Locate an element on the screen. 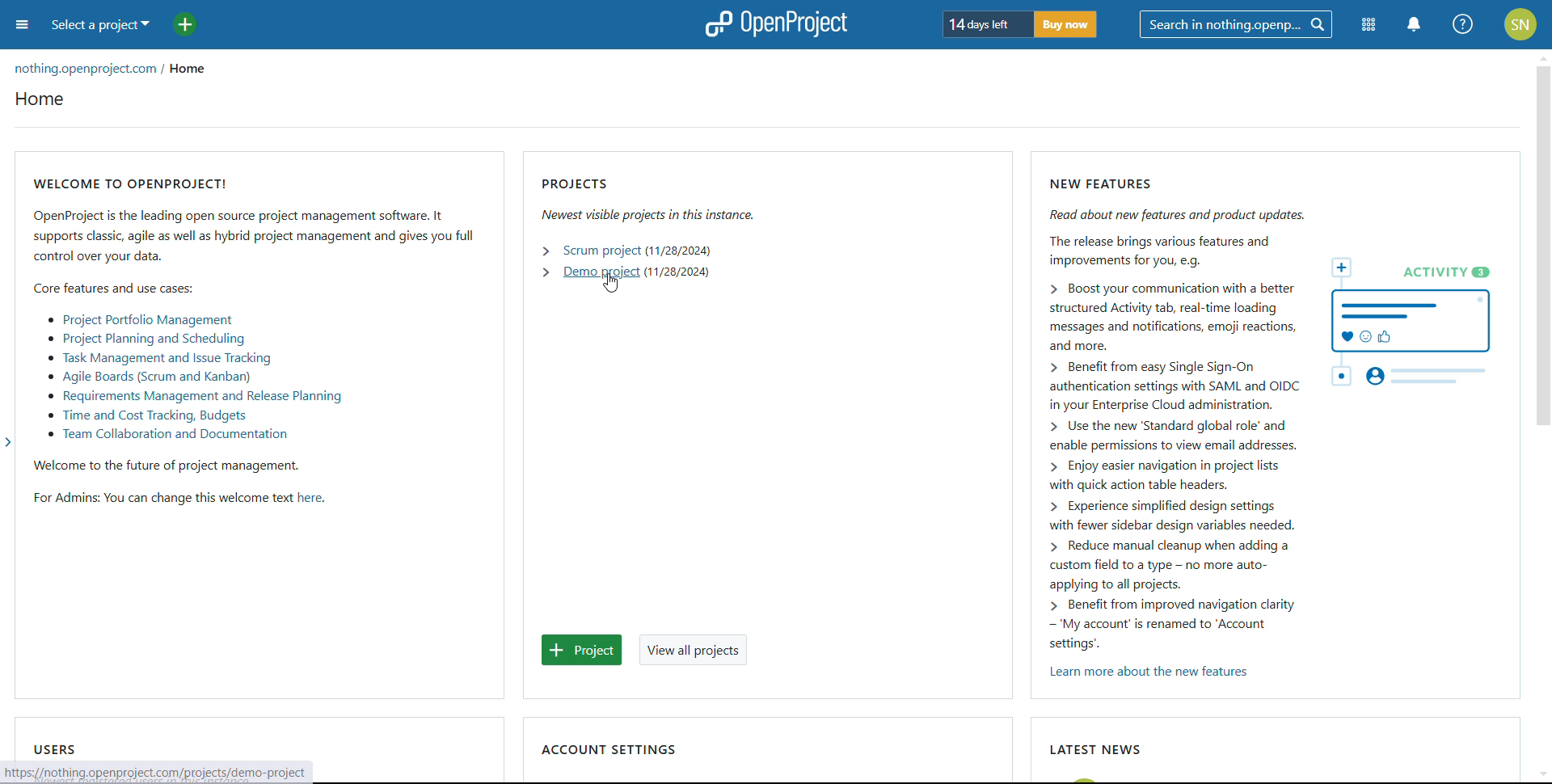 The image size is (1552, 784). users is located at coordinates (55, 748).